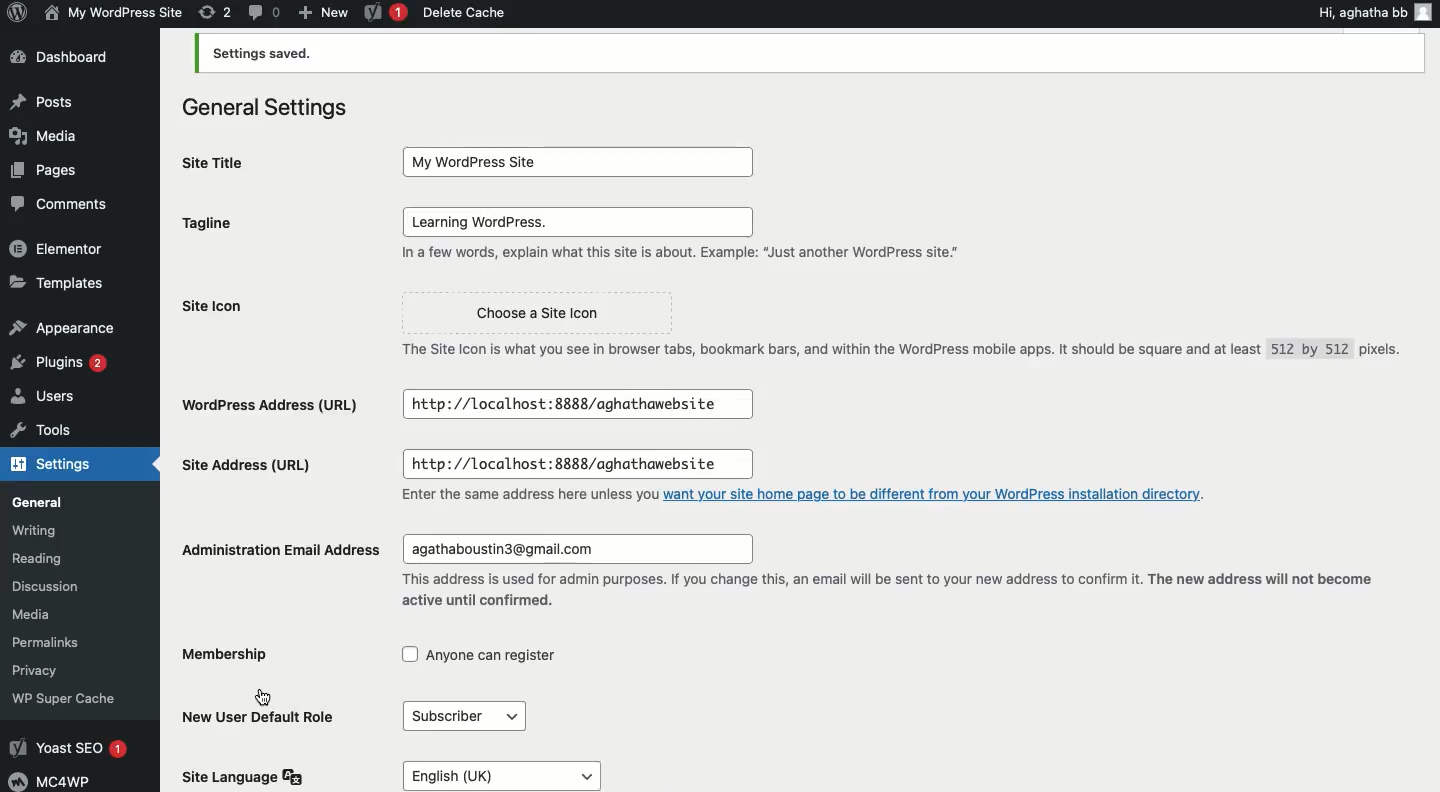  What do you see at coordinates (939, 495) in the screenshot?
I see `want your site home page to be different from your WordPress installation directory.` at bounding box center [939, 495].